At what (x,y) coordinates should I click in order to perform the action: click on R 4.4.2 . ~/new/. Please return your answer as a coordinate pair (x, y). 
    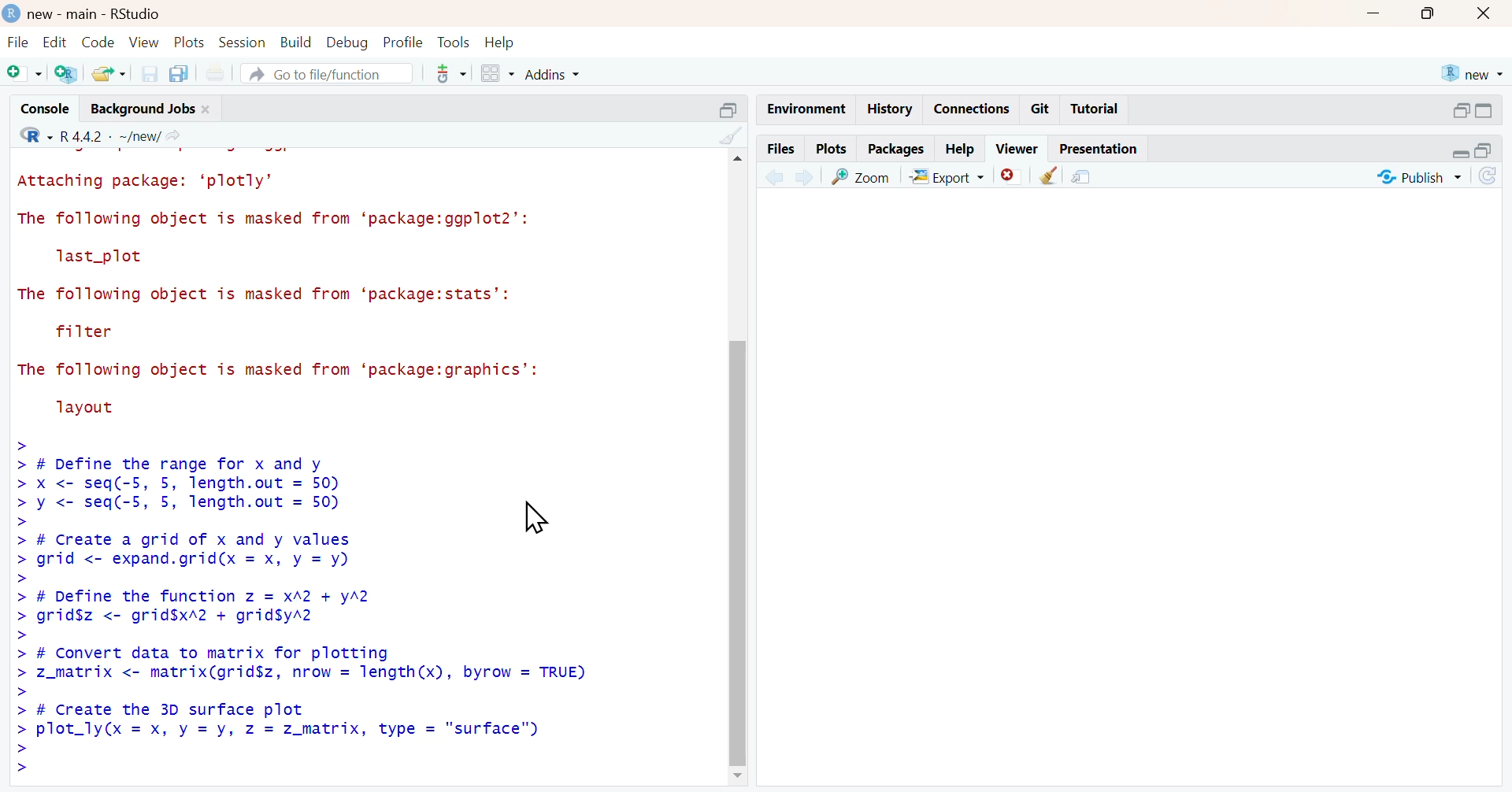
    Looking at the image, I should click on (111, 134).